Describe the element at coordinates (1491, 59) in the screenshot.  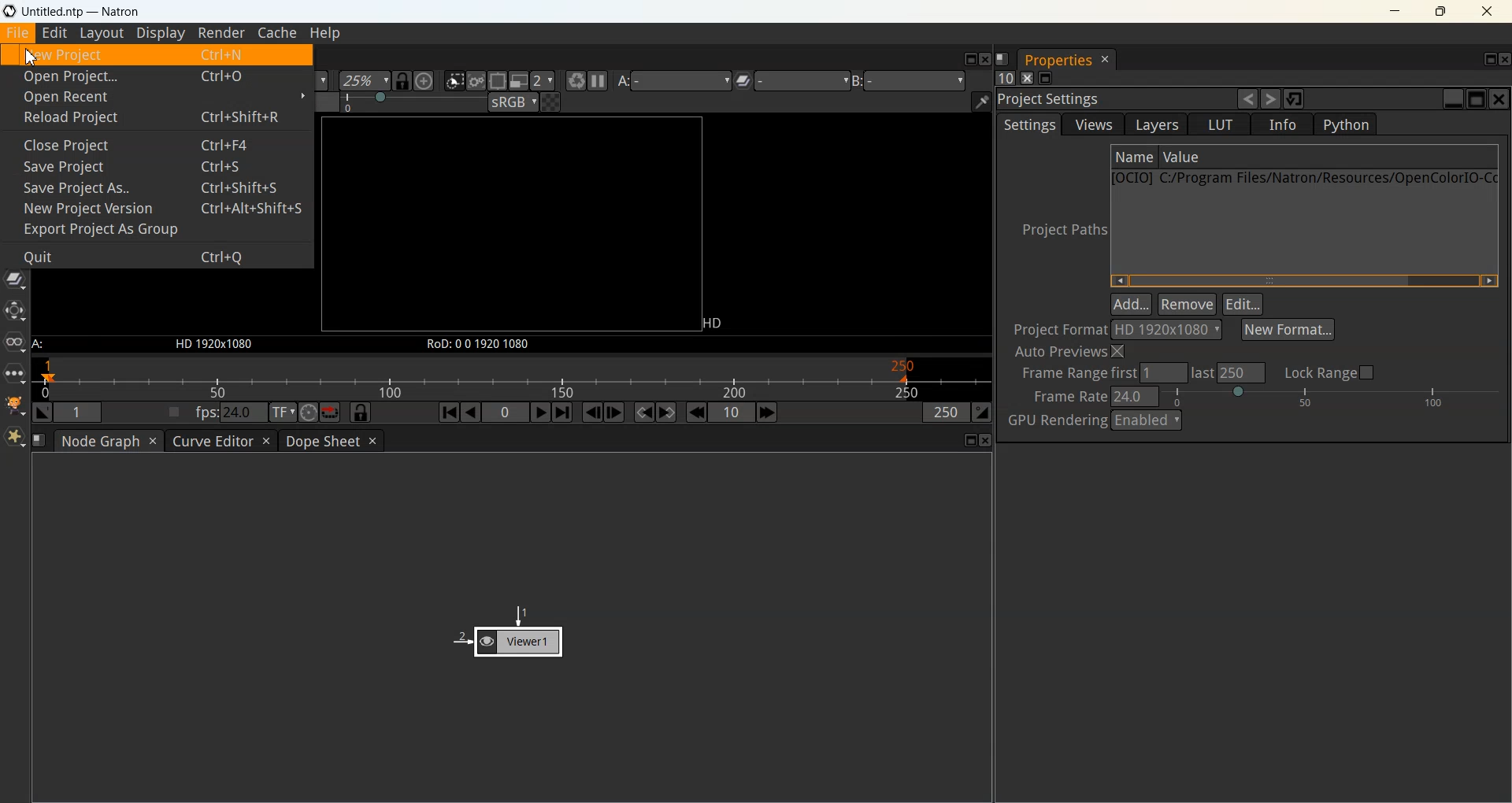
I see `Maximize` at that location.